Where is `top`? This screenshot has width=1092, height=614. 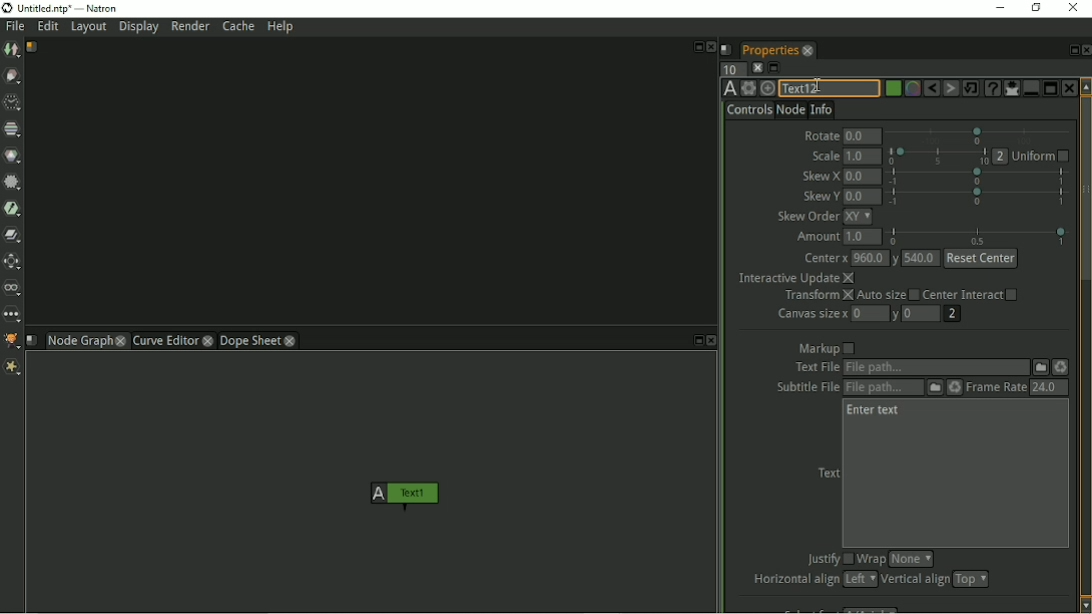 top is located at coordinates (971, 579).